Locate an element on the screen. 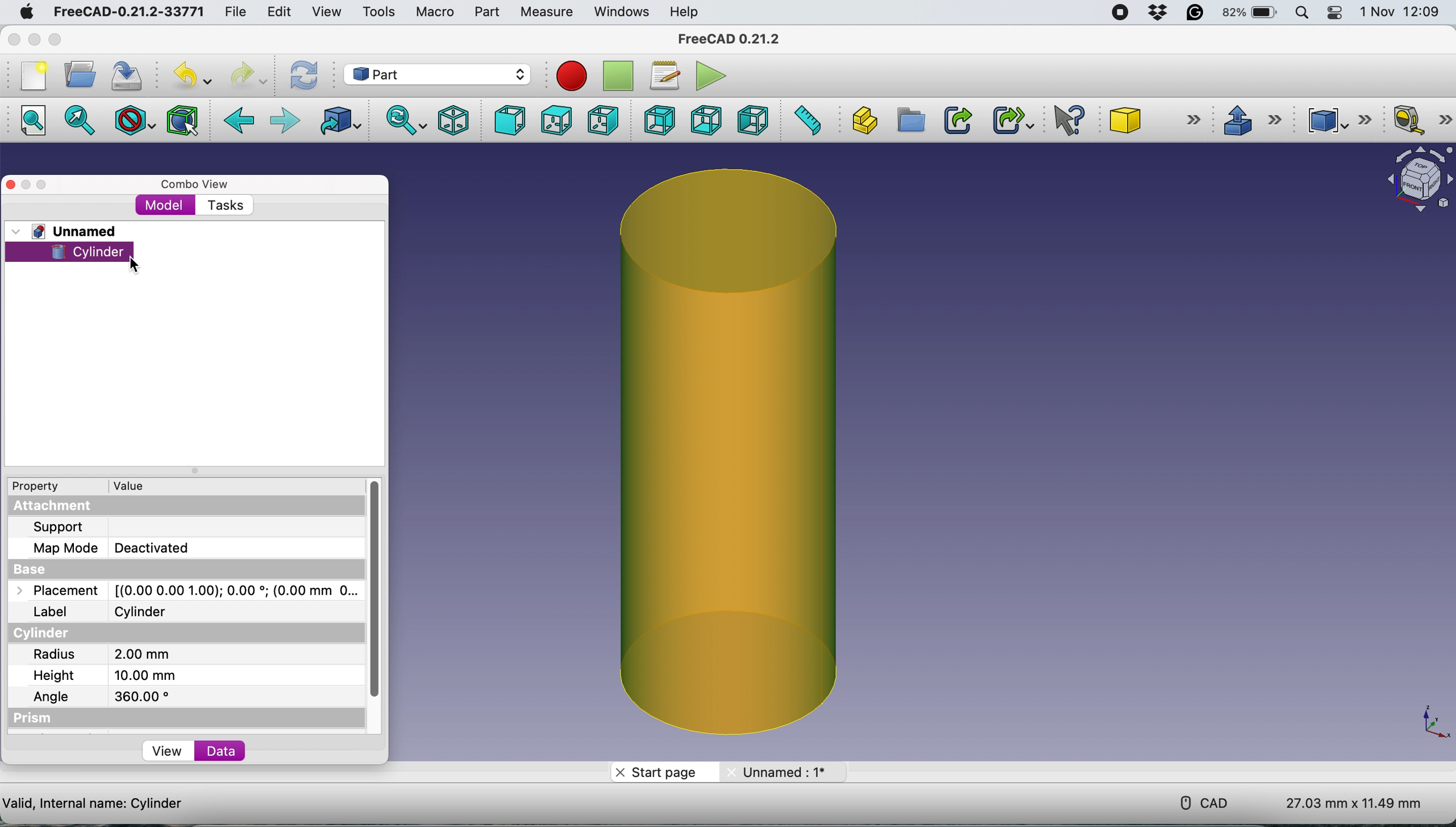 The width and height of the screenshot is (1456, 827). cylinder is located at coordinates (87, 251).